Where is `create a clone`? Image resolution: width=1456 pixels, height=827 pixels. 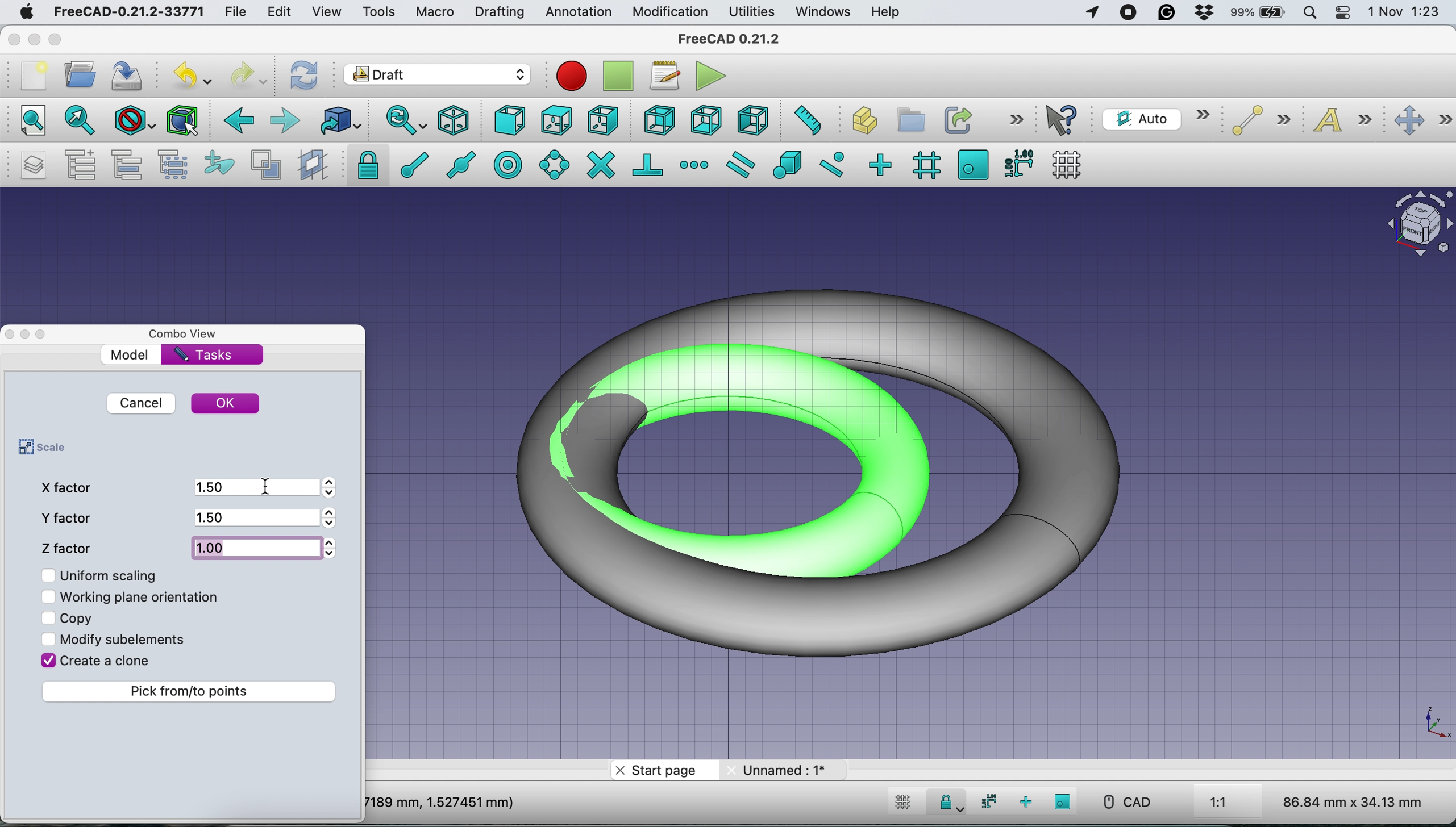
create a clone is located at coordinates (107, 663).